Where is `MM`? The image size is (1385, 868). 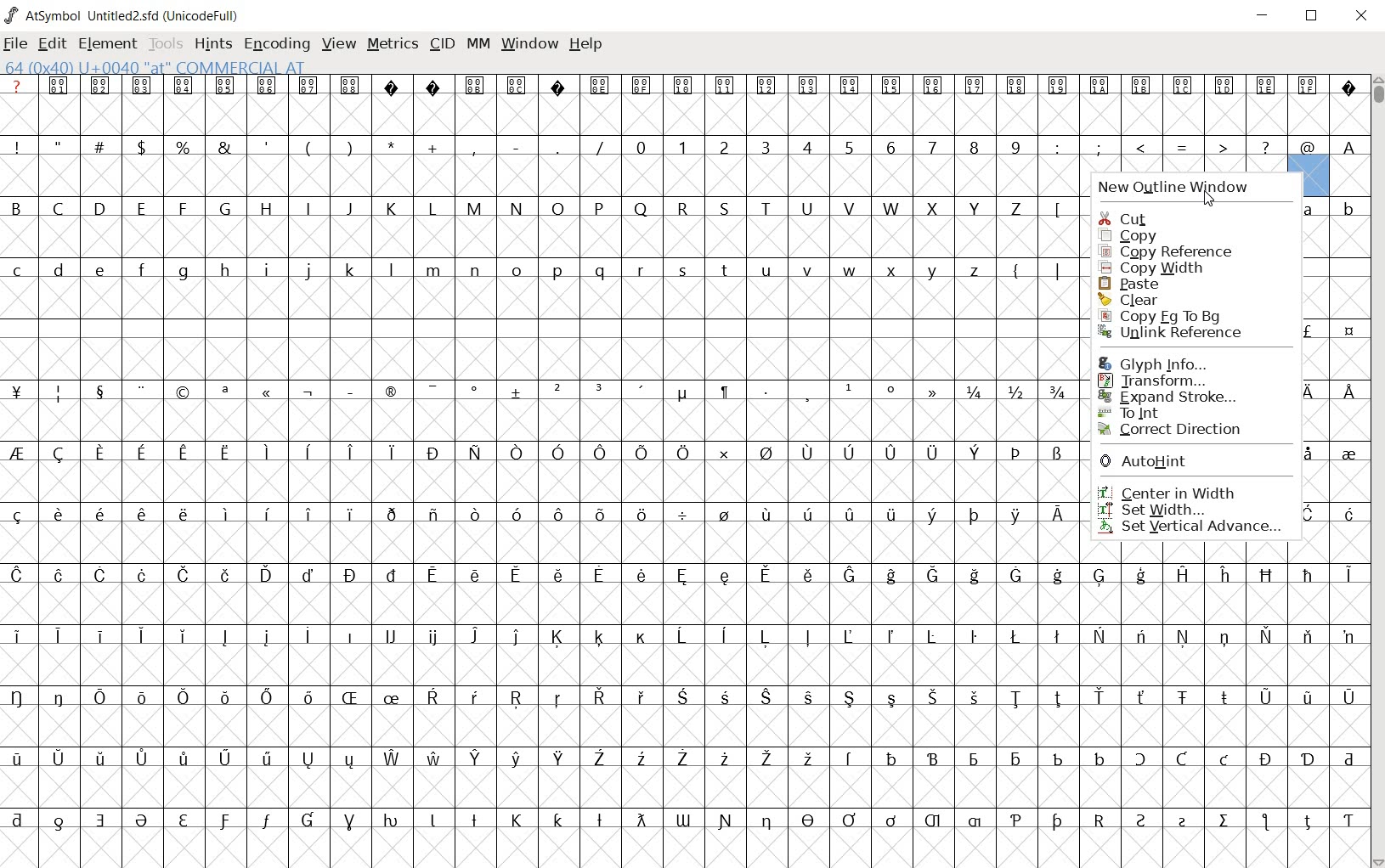
MM is located at coordinates (478, 43).